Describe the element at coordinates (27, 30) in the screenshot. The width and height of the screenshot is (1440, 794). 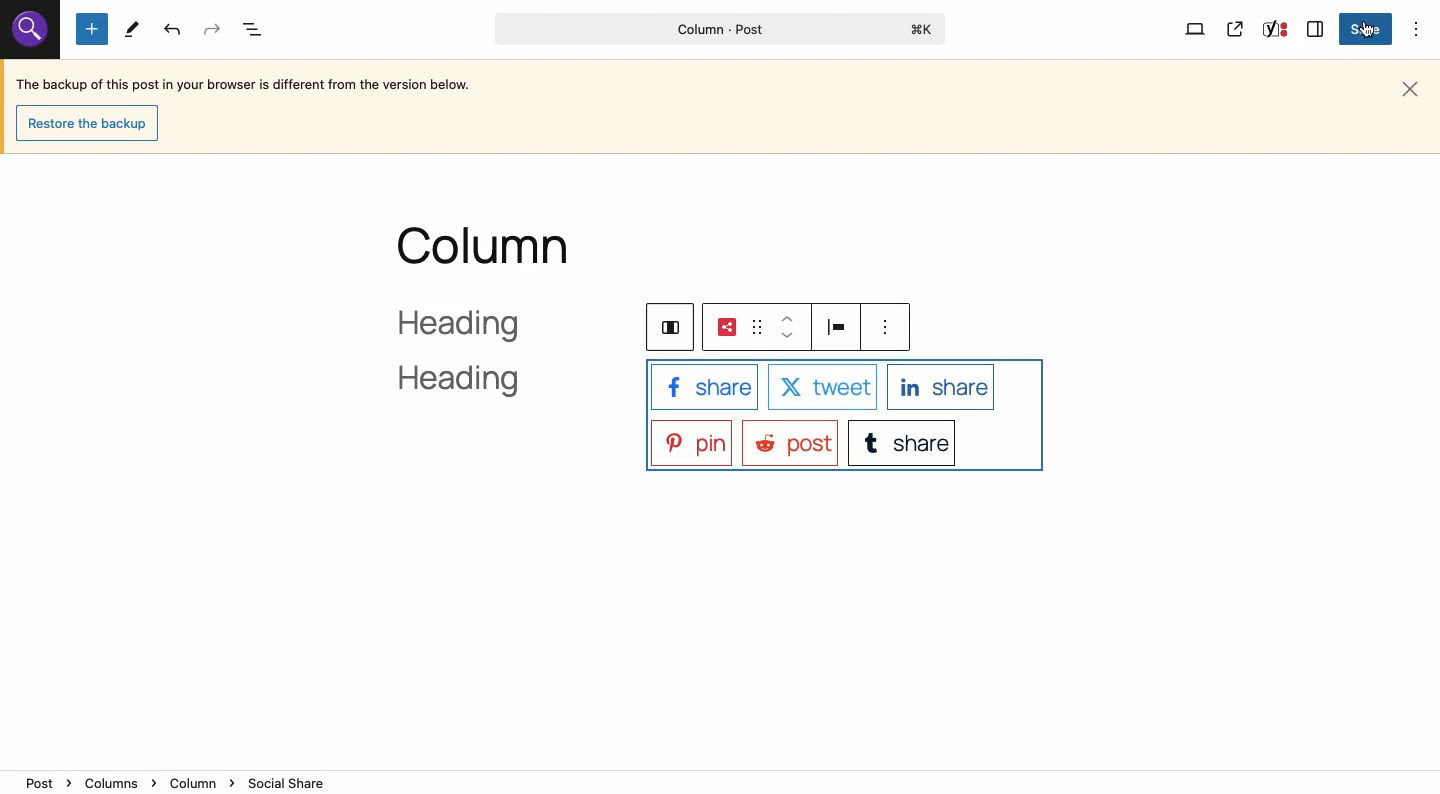
I see `` at that location.